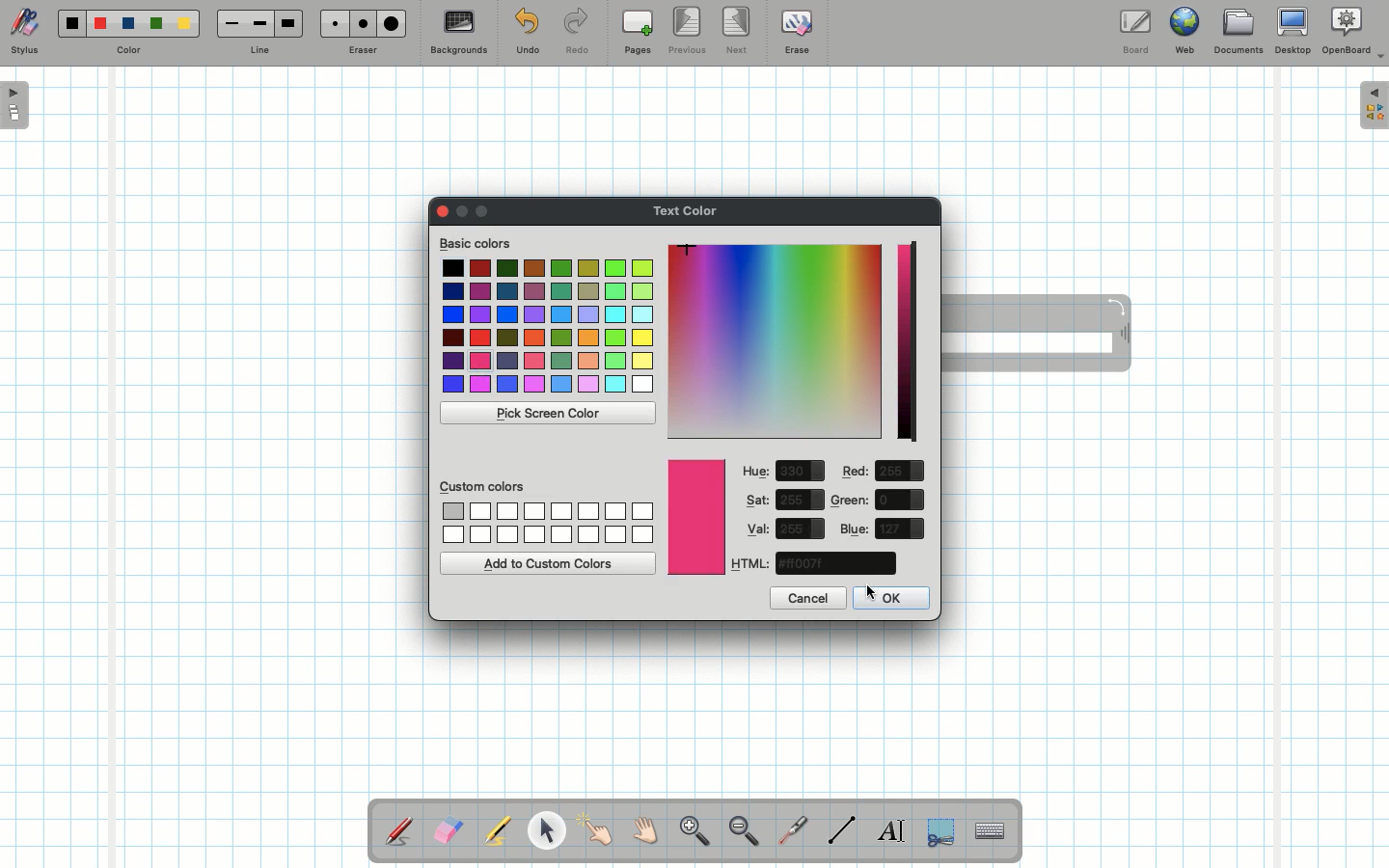  I want to click on Green, so click(156, 25).